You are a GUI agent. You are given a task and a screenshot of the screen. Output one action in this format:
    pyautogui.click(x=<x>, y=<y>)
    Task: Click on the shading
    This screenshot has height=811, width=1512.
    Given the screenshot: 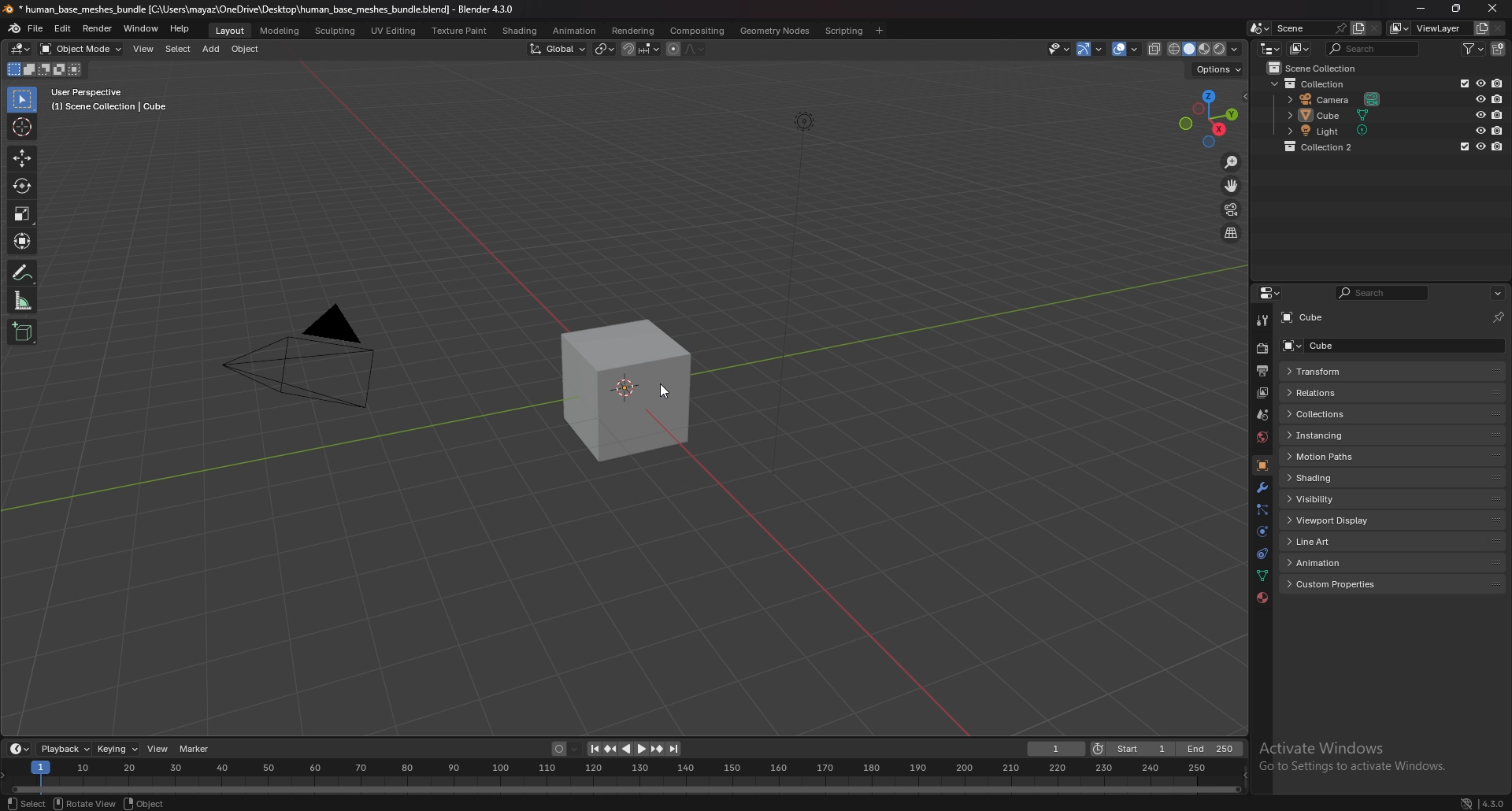 What is the action you would take?
    pyautogui.click(x=1235, y=48)
    